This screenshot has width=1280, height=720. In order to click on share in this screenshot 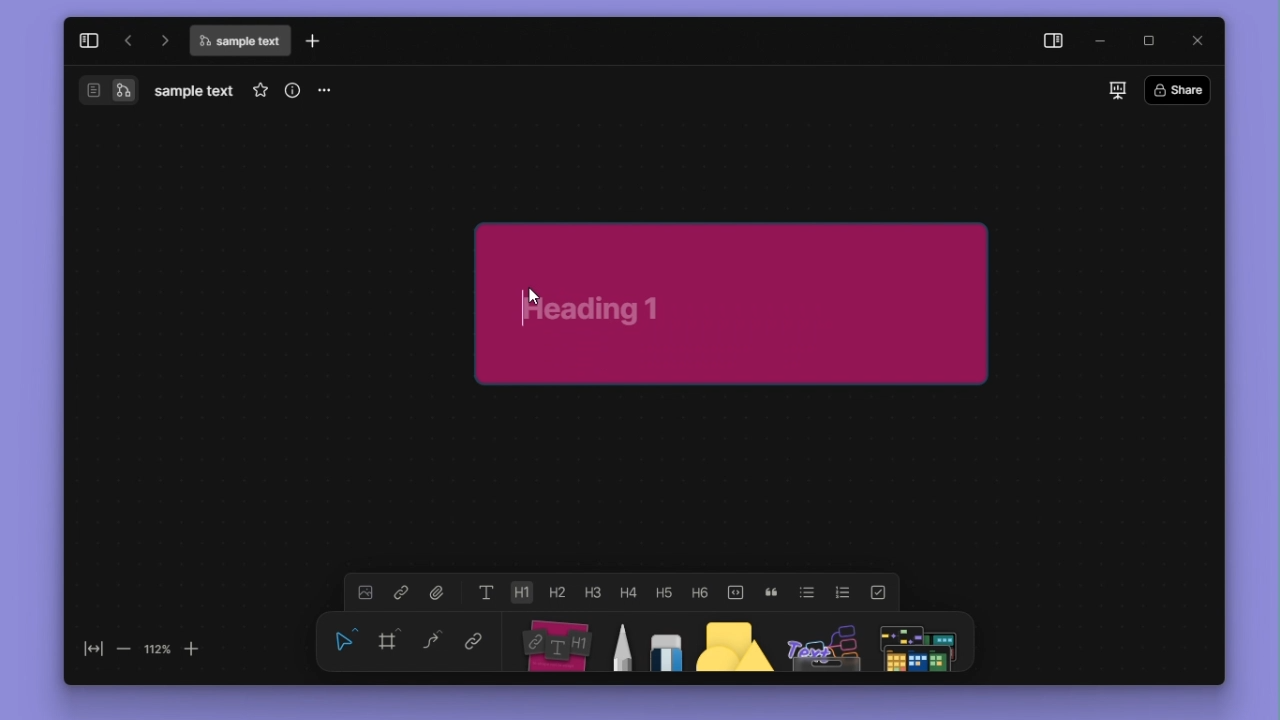, I will do `click(1178, 89)`.